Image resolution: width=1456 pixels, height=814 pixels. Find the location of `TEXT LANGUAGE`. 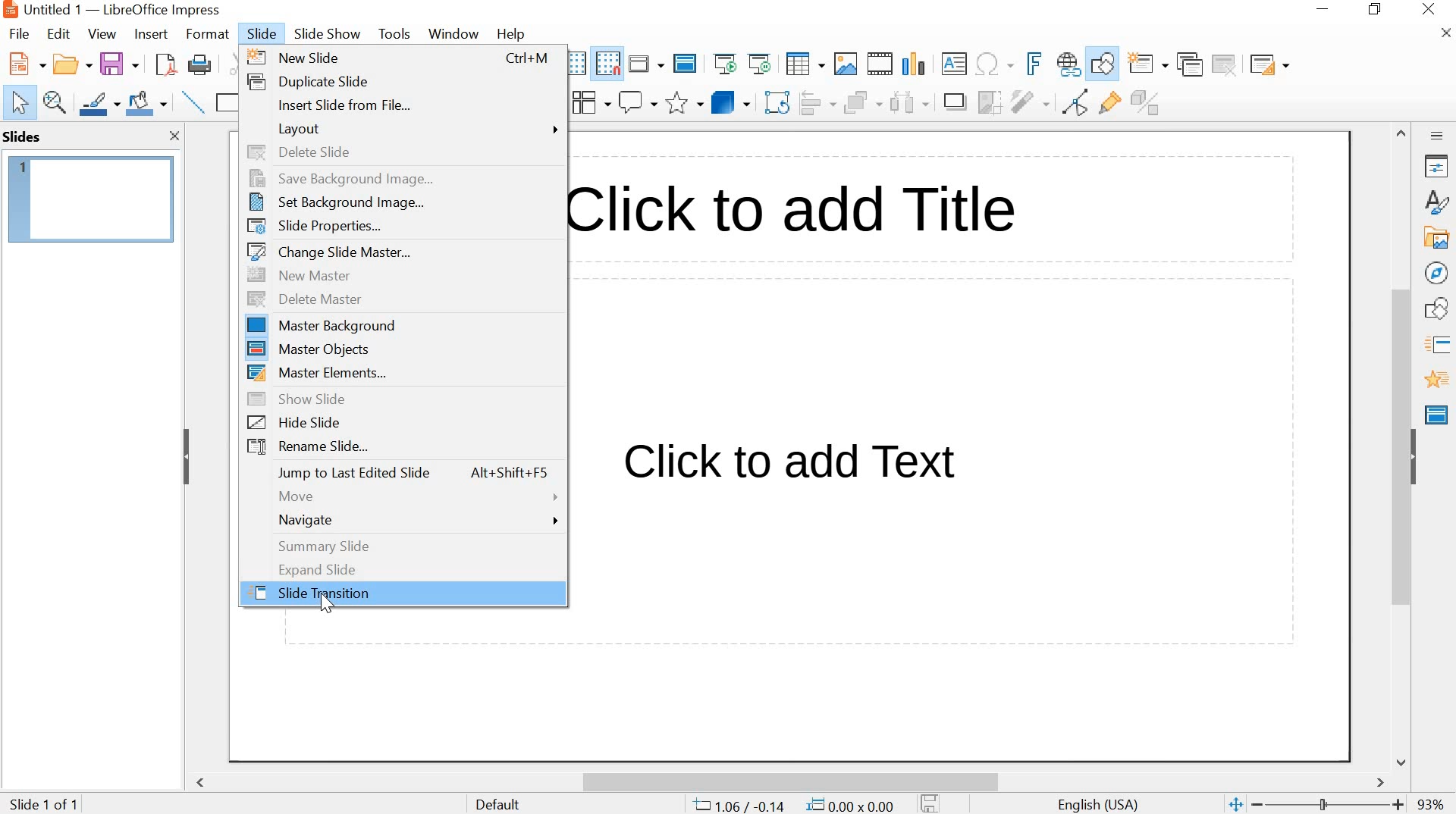

TEXT LANGUAGE is located at coordinates (1100, 803).